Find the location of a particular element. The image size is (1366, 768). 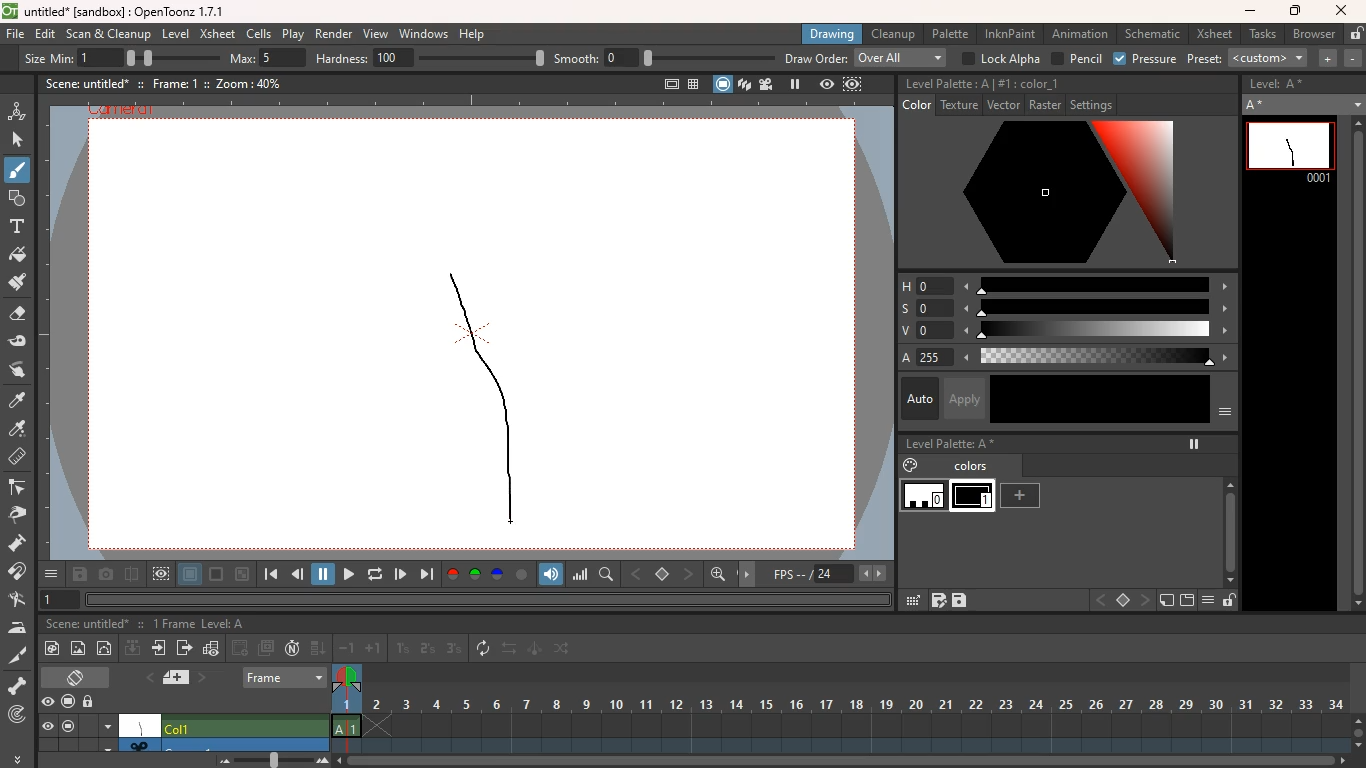

edit is located at coordinates (911, 600).